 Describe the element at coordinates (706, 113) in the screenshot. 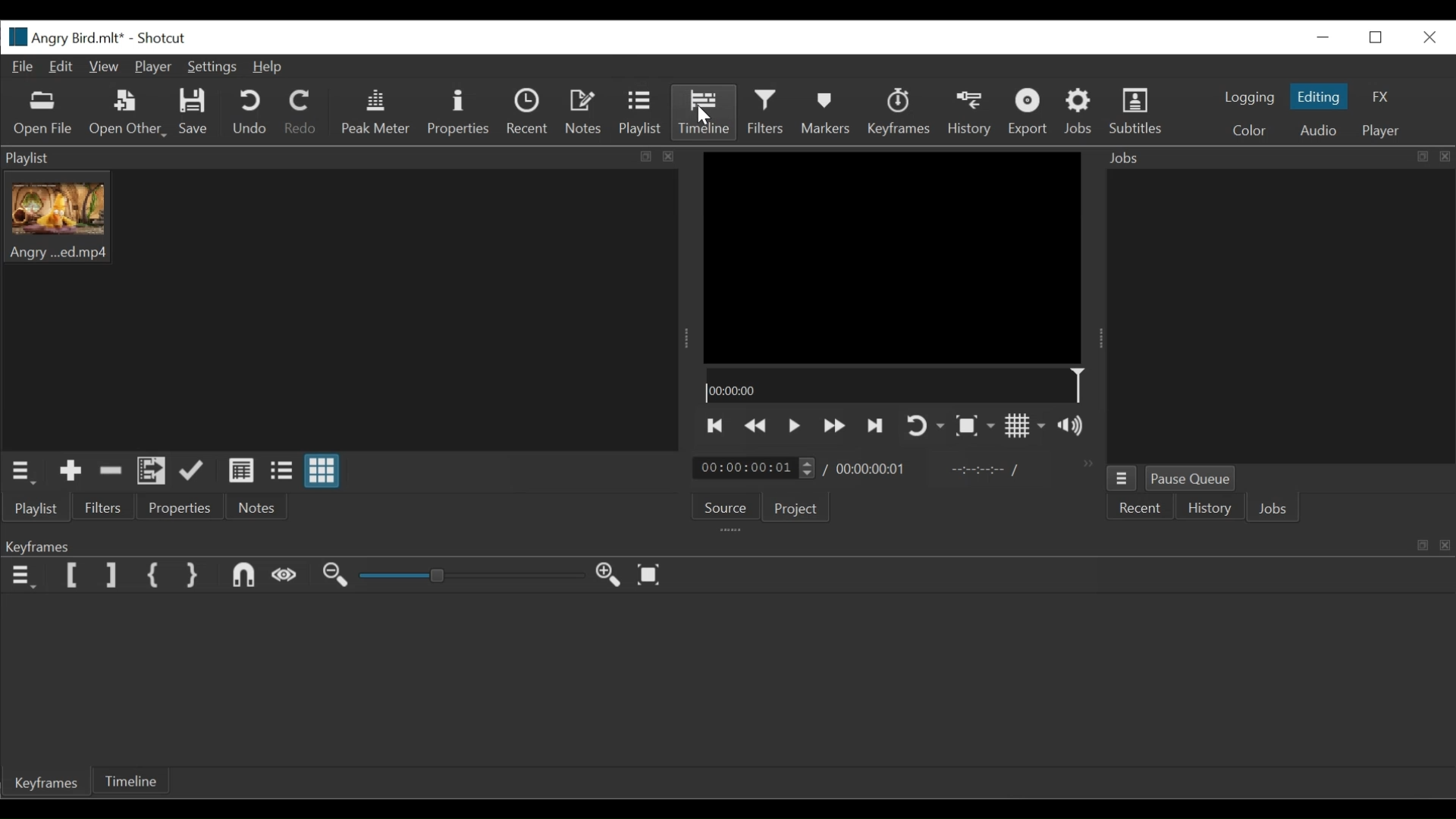

I see `Timeline` at that location.